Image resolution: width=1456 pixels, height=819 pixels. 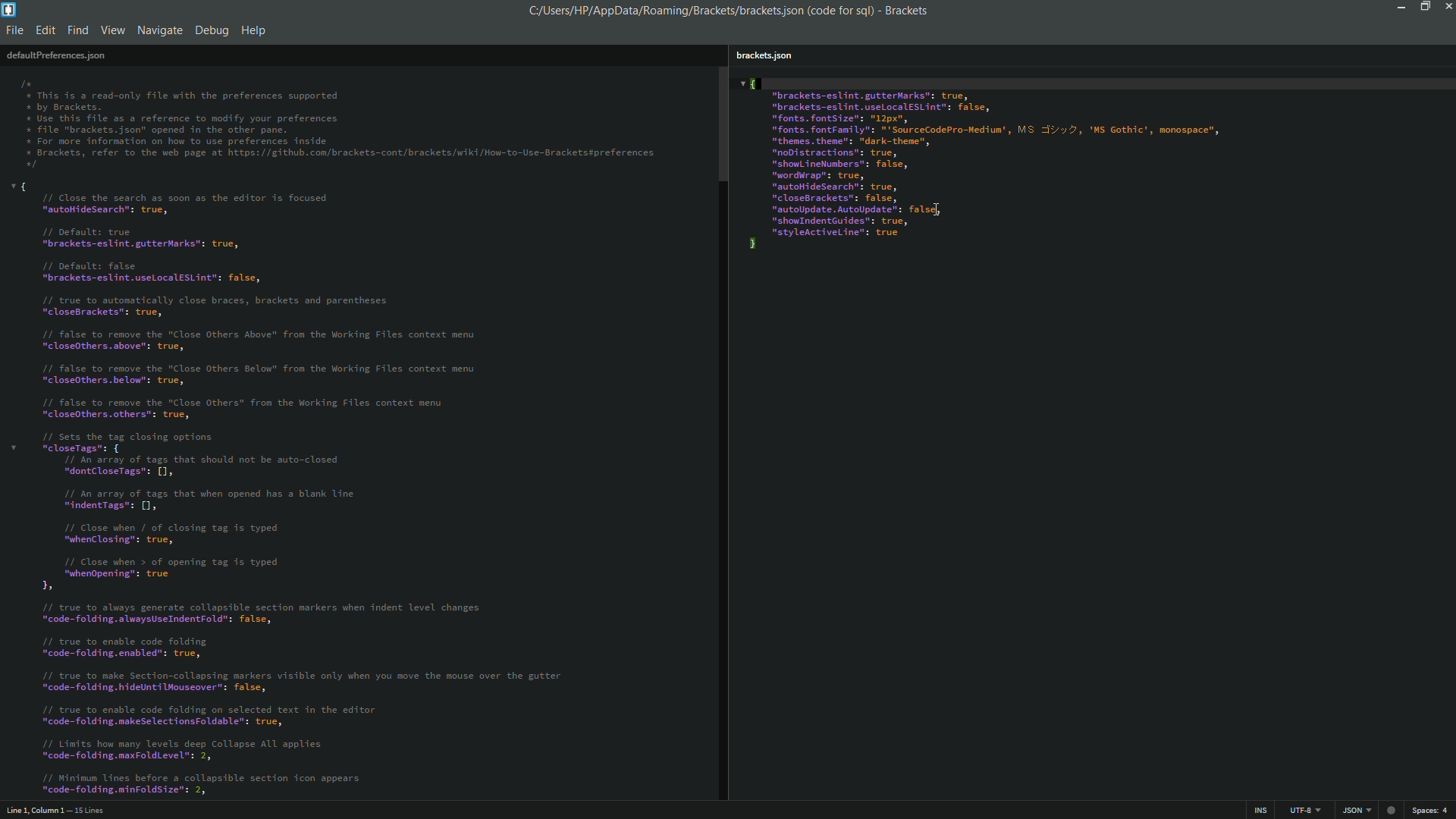 I want to click on brackets.json, so click(x=763, y=56).